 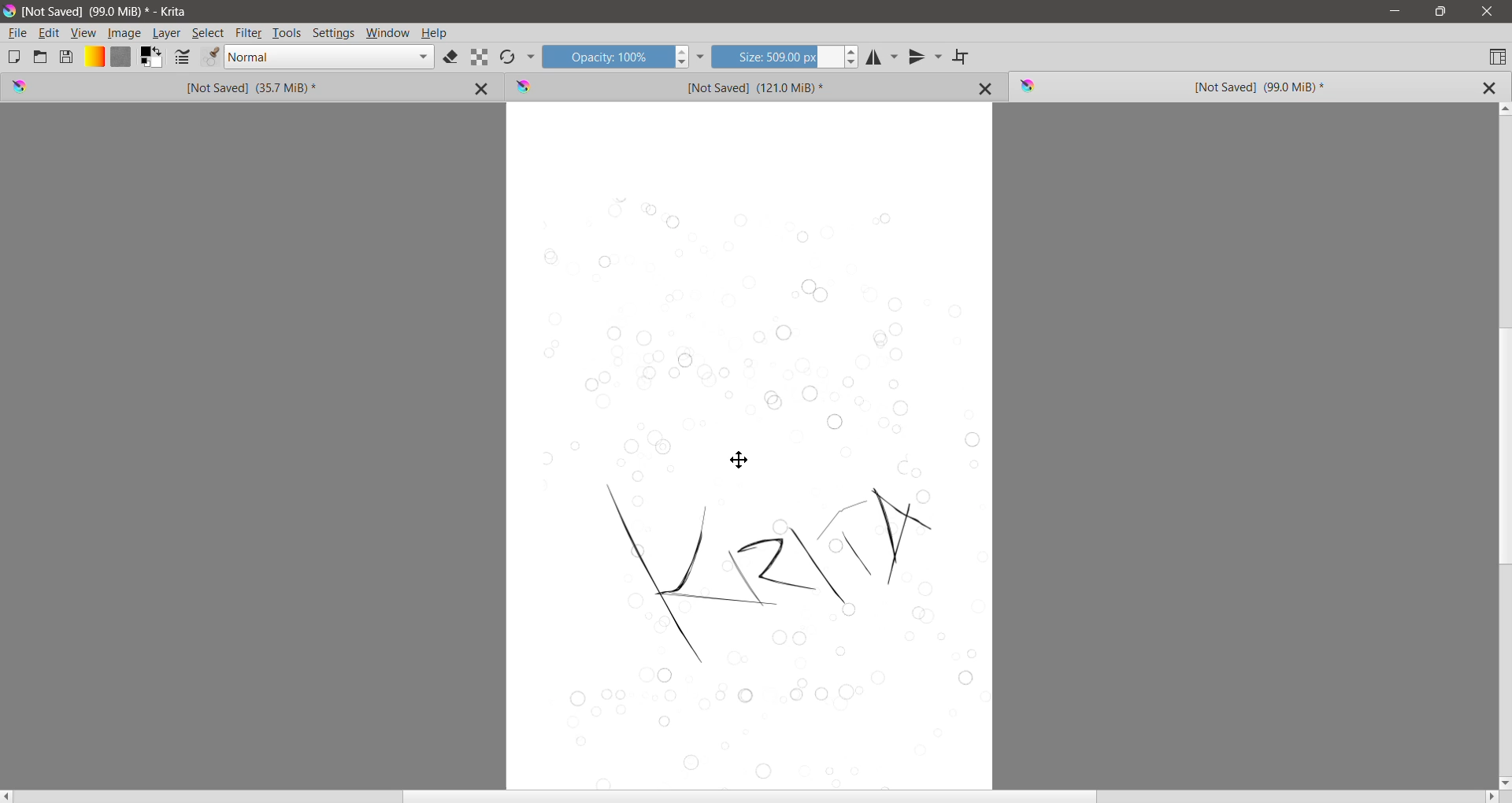 I want to click on Edit Brush settings, so click(x=182, y=58).